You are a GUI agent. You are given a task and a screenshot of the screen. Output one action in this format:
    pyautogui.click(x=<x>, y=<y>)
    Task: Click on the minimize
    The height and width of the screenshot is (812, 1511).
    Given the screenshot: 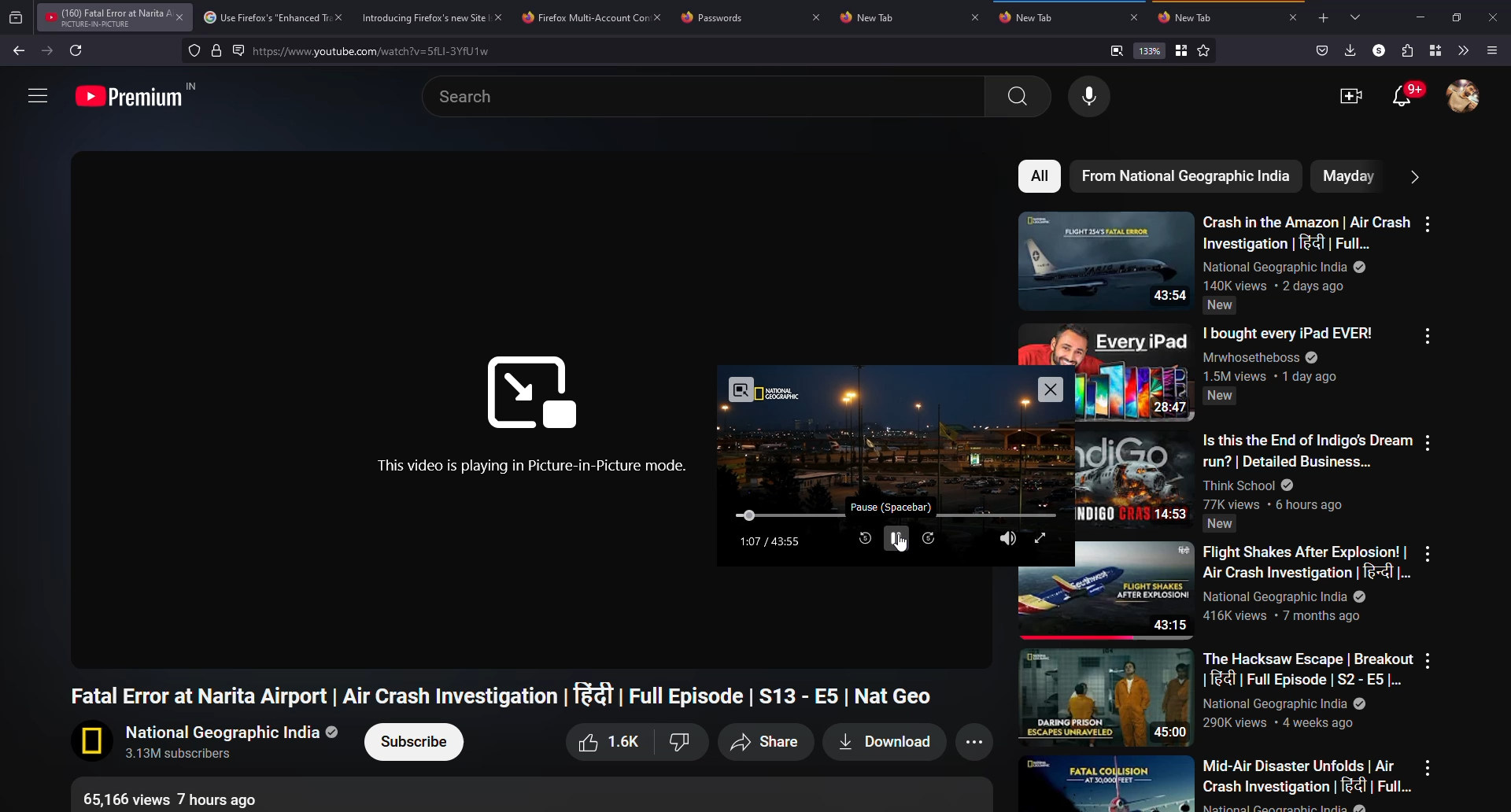 What is the action you would take?
    pyautogui.click(x=1420, y=17)
    